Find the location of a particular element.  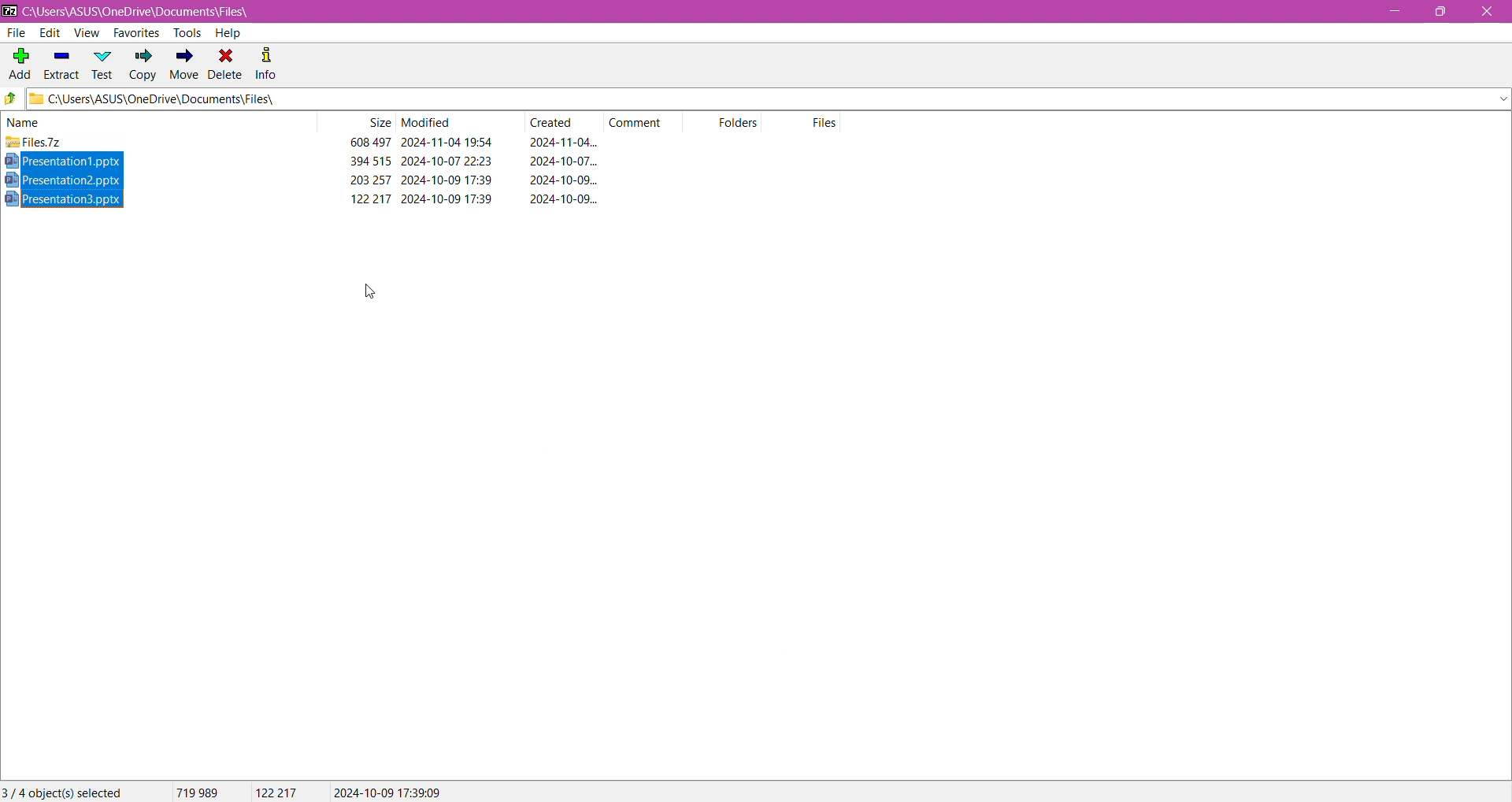

Test is located at coordinates (103, 64).